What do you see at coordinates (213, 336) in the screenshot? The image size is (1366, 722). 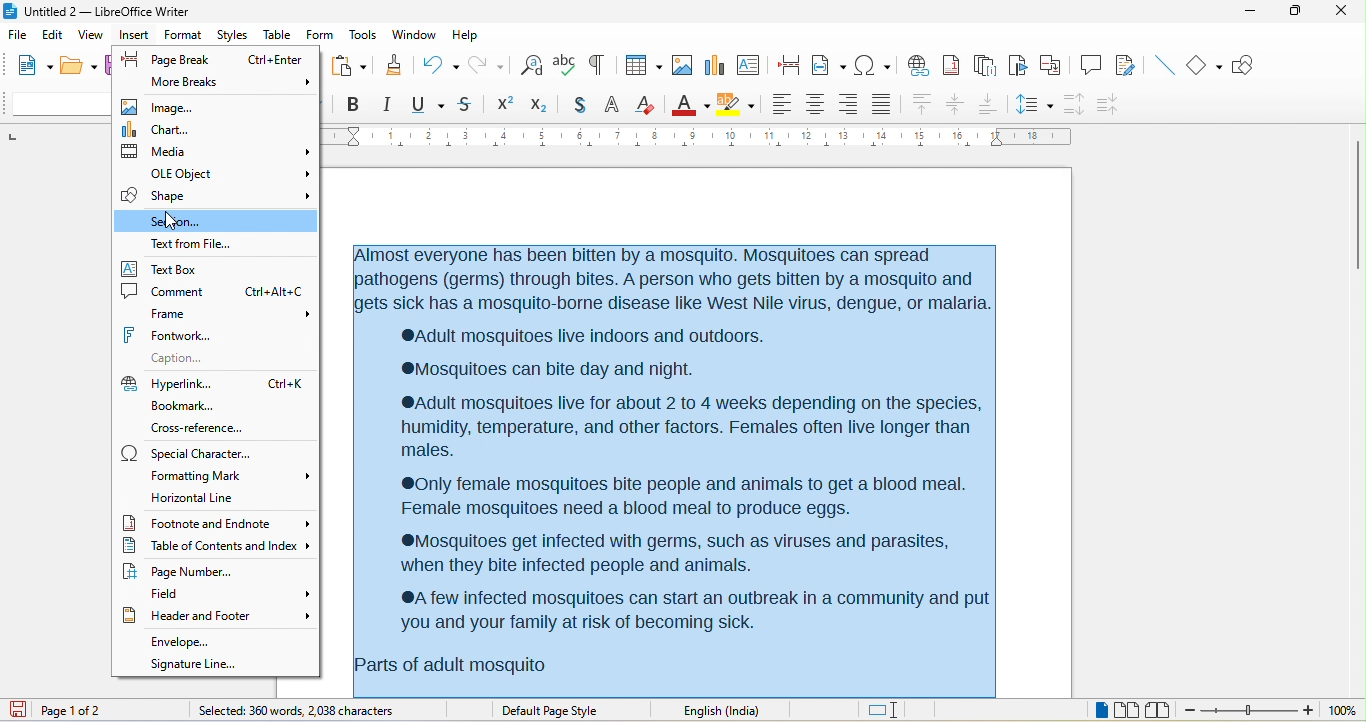 I see `font work` at bounding box center [213, 336].